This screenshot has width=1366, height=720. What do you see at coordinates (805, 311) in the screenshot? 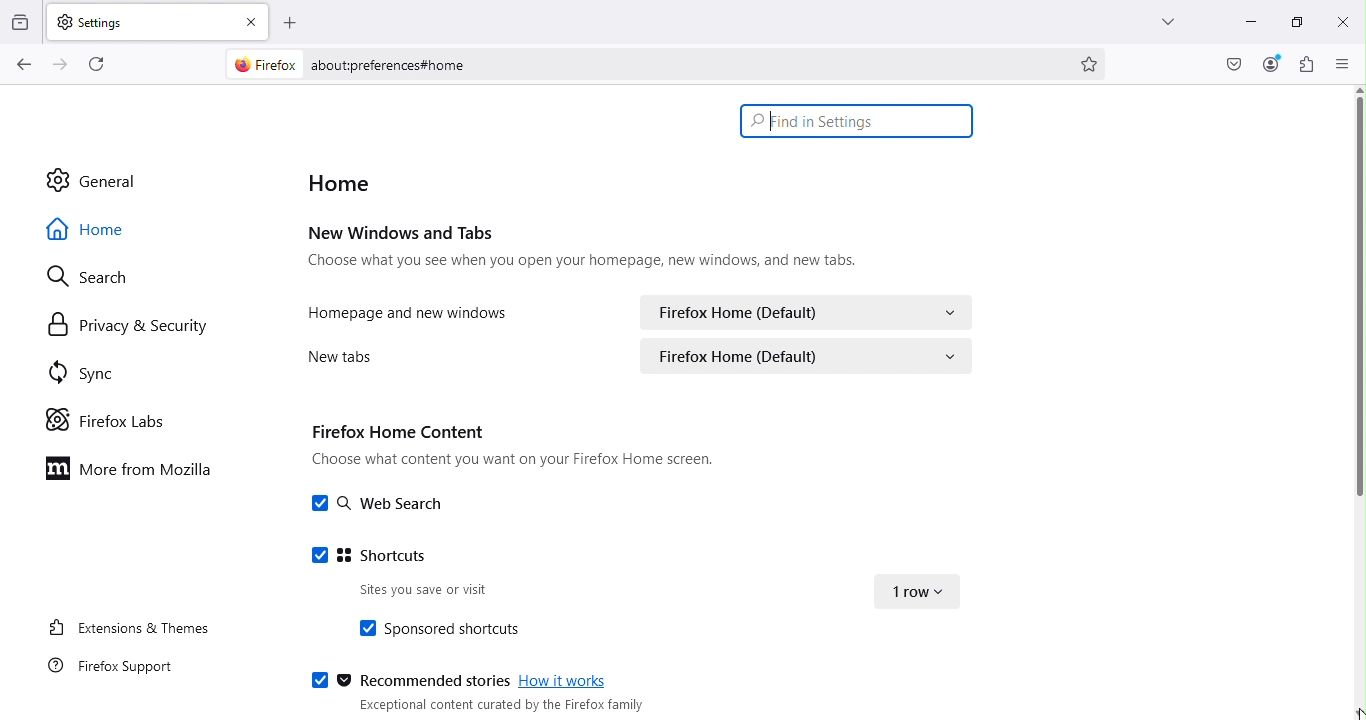
I see `Firefox home (default)` at bounding box center [805, 311].